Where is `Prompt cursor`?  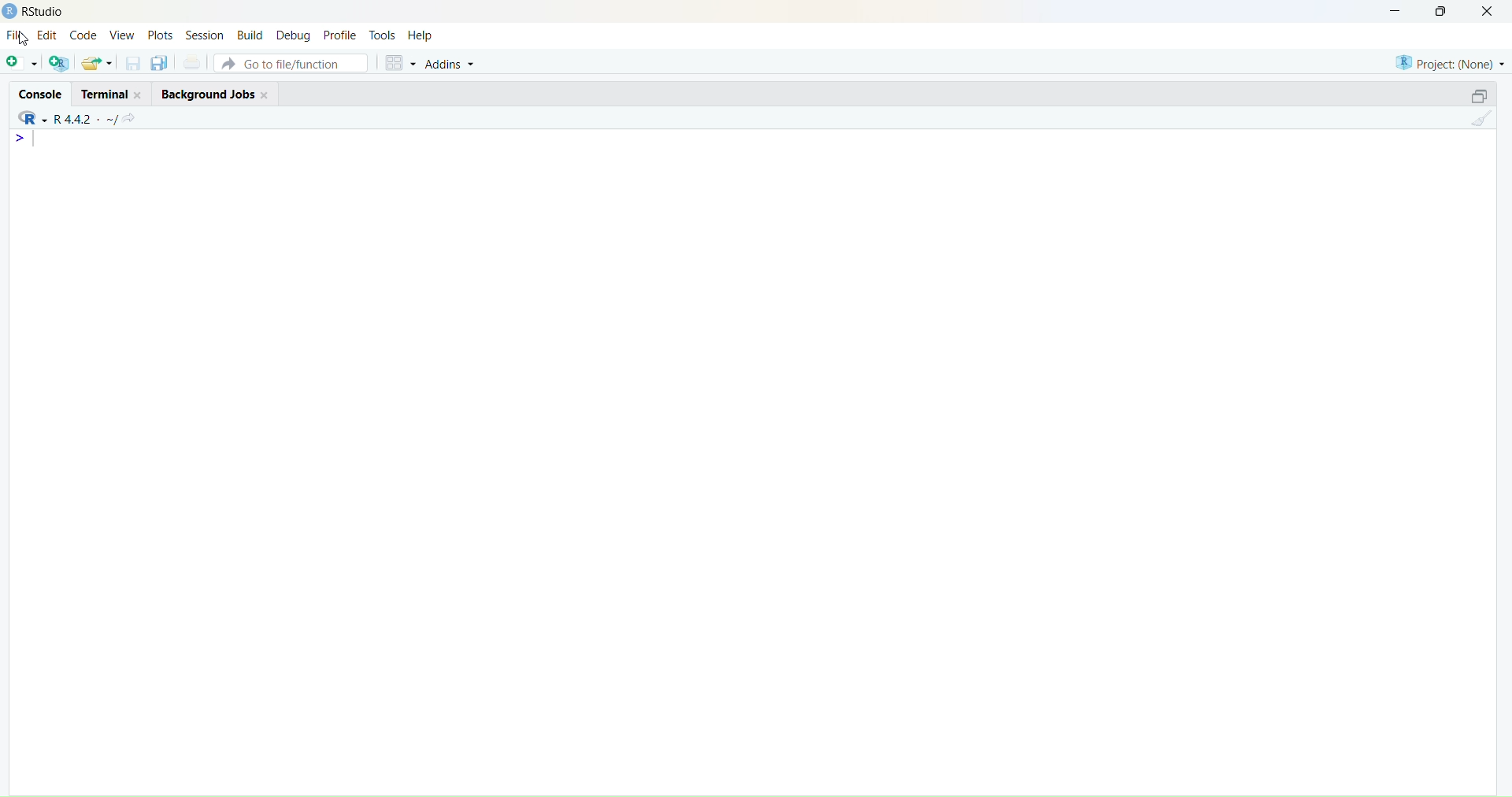 Prompt cursor is located at coordinates (23, 141).